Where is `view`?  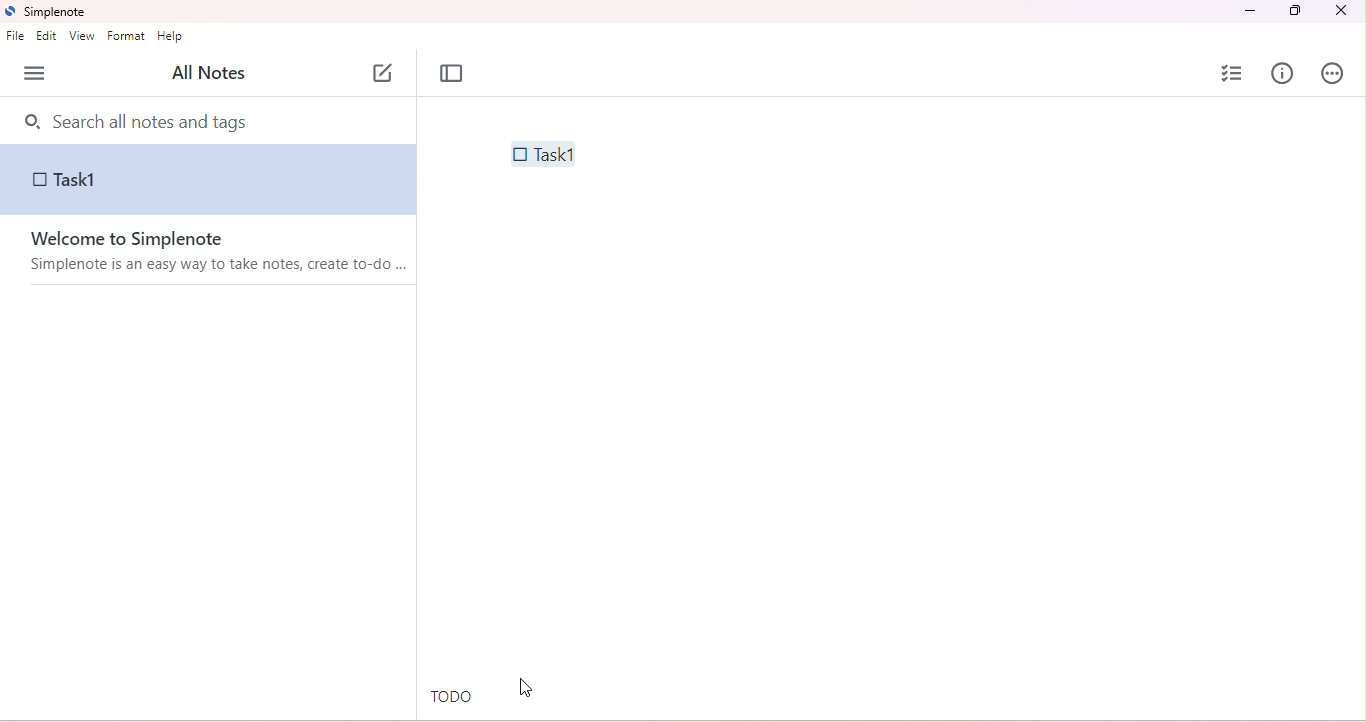 view is located at coordinates (81, 37).